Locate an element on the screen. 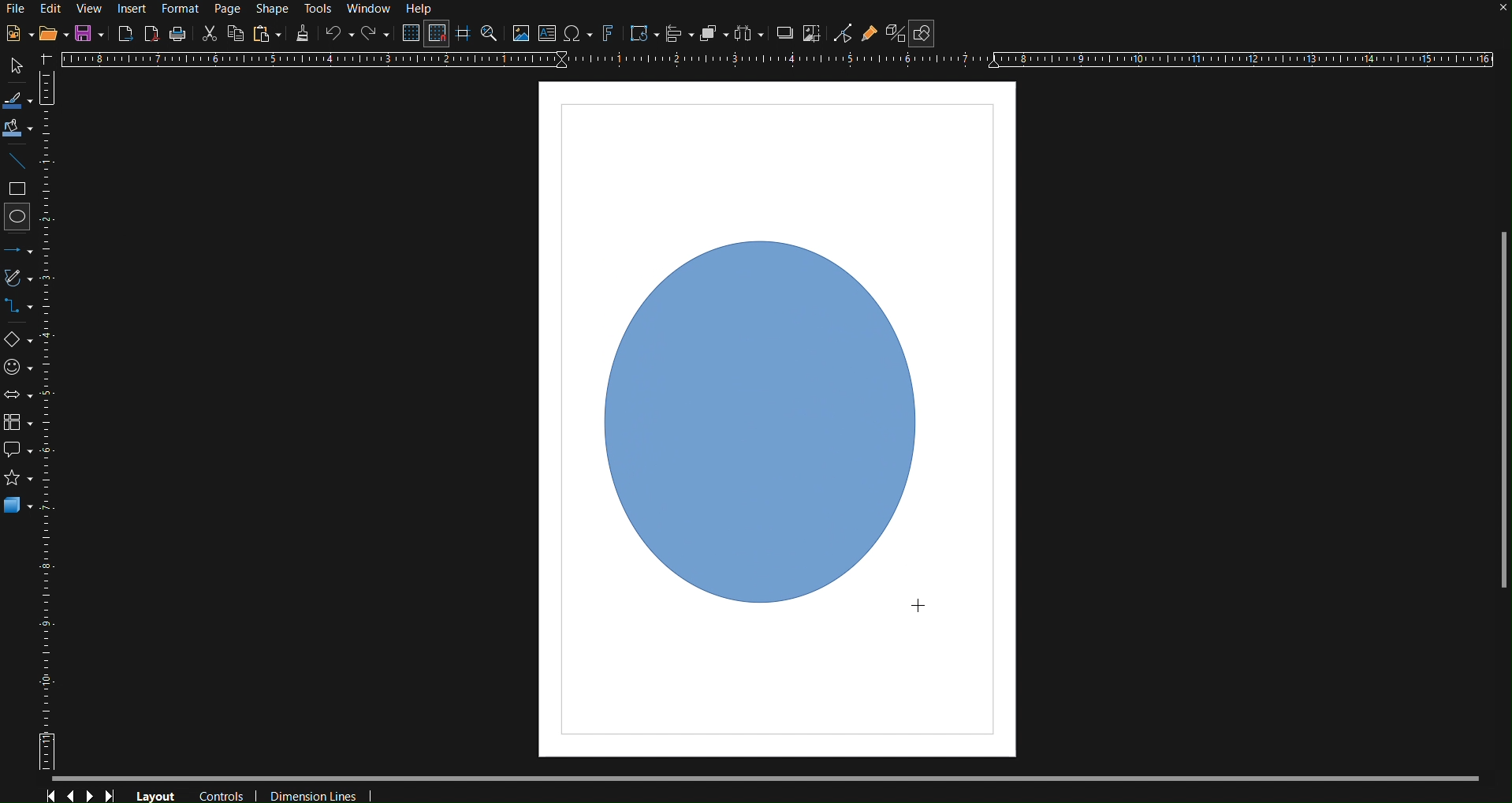 This screenshot has width=1512, height=803. Crop Image is located at coordinates (811, 35).